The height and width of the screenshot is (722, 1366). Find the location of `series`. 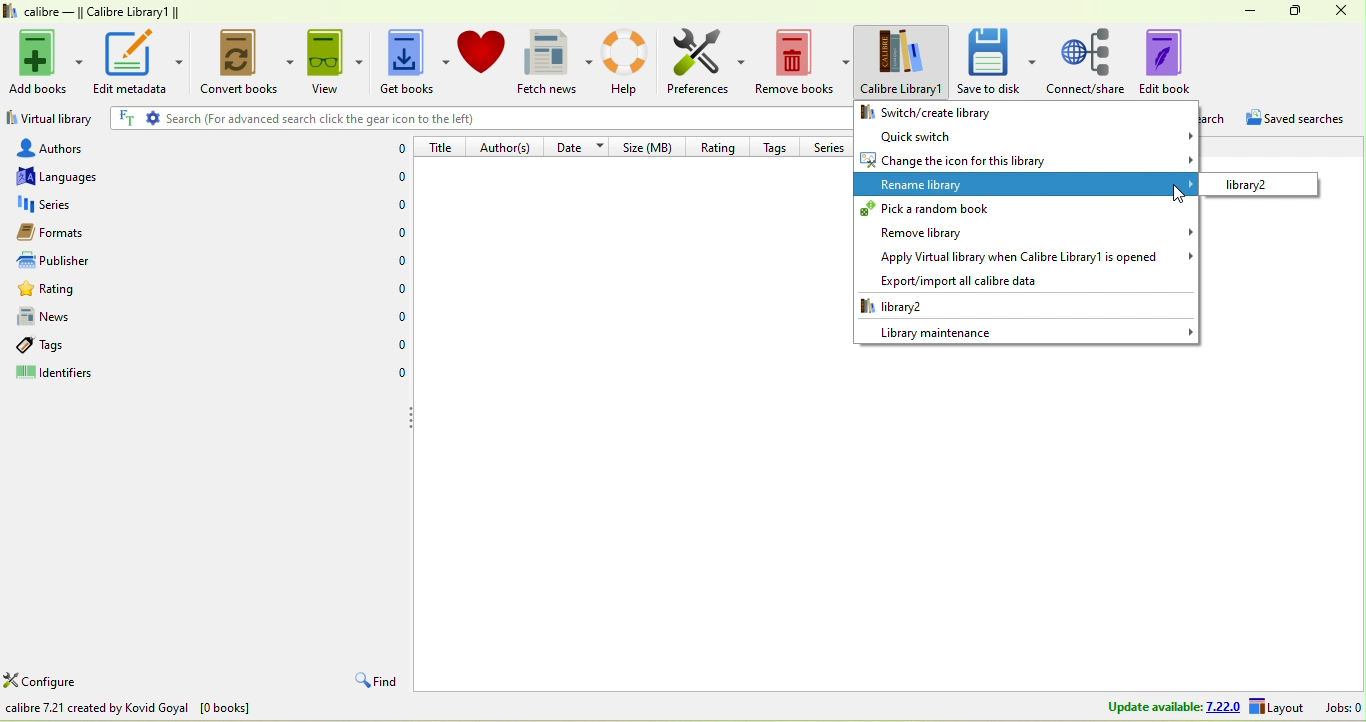

series is located at coordinates (84, 205).